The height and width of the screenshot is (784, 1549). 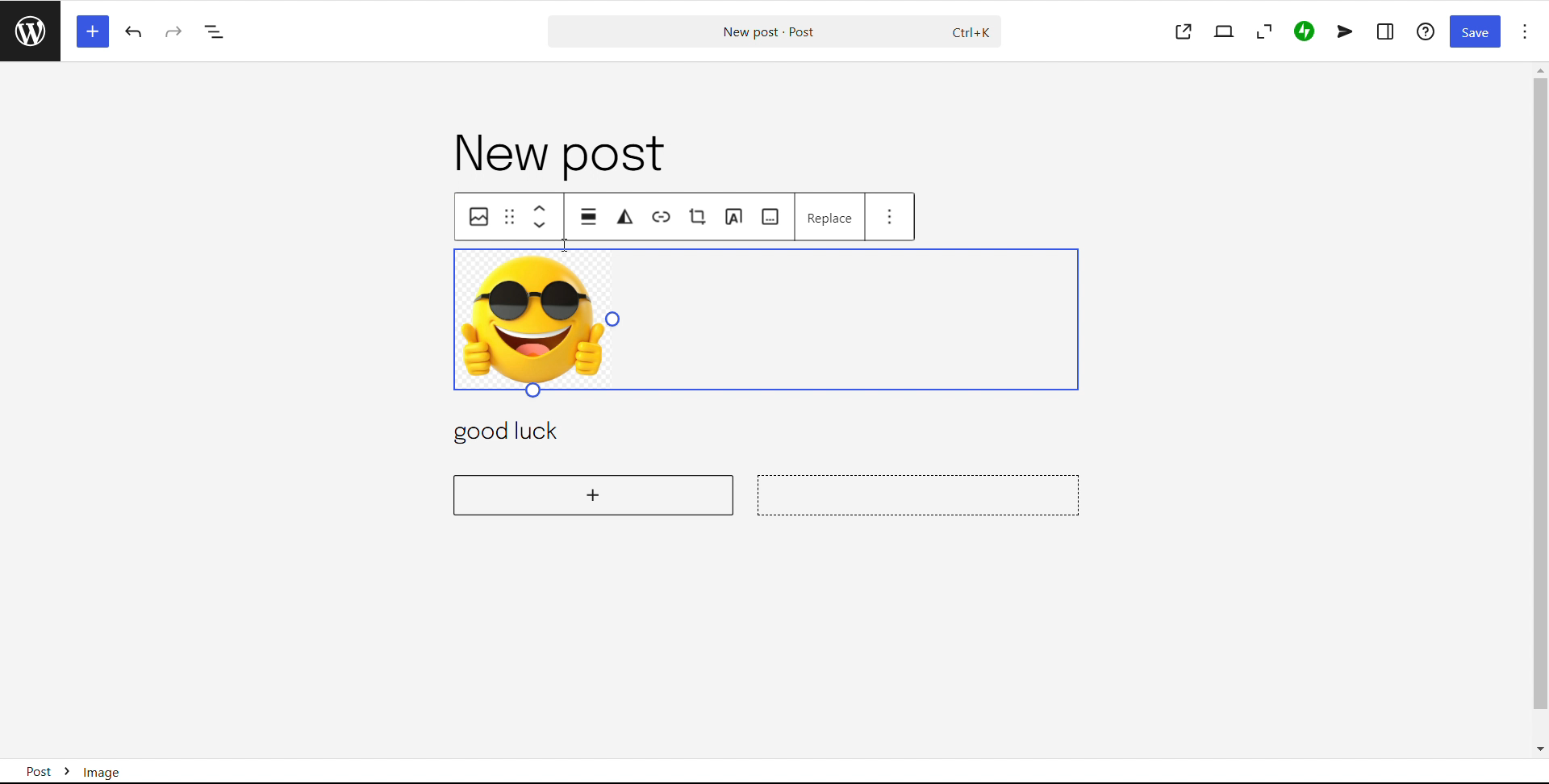 I want to click on settings, so click(x=1386, y=31).